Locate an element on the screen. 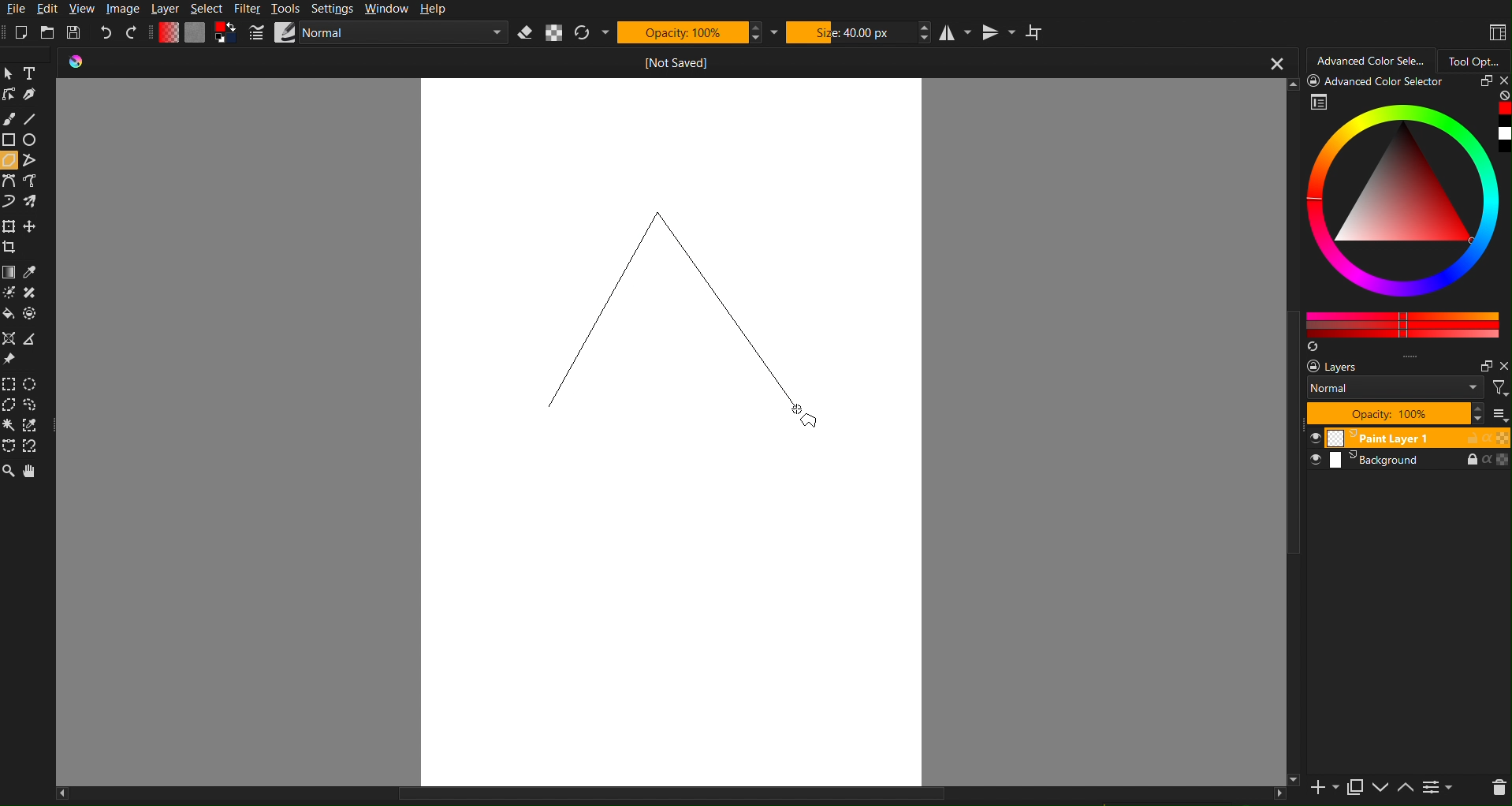 This screenshot has height=806, width=1512. New is located at coordinates (22, 32).